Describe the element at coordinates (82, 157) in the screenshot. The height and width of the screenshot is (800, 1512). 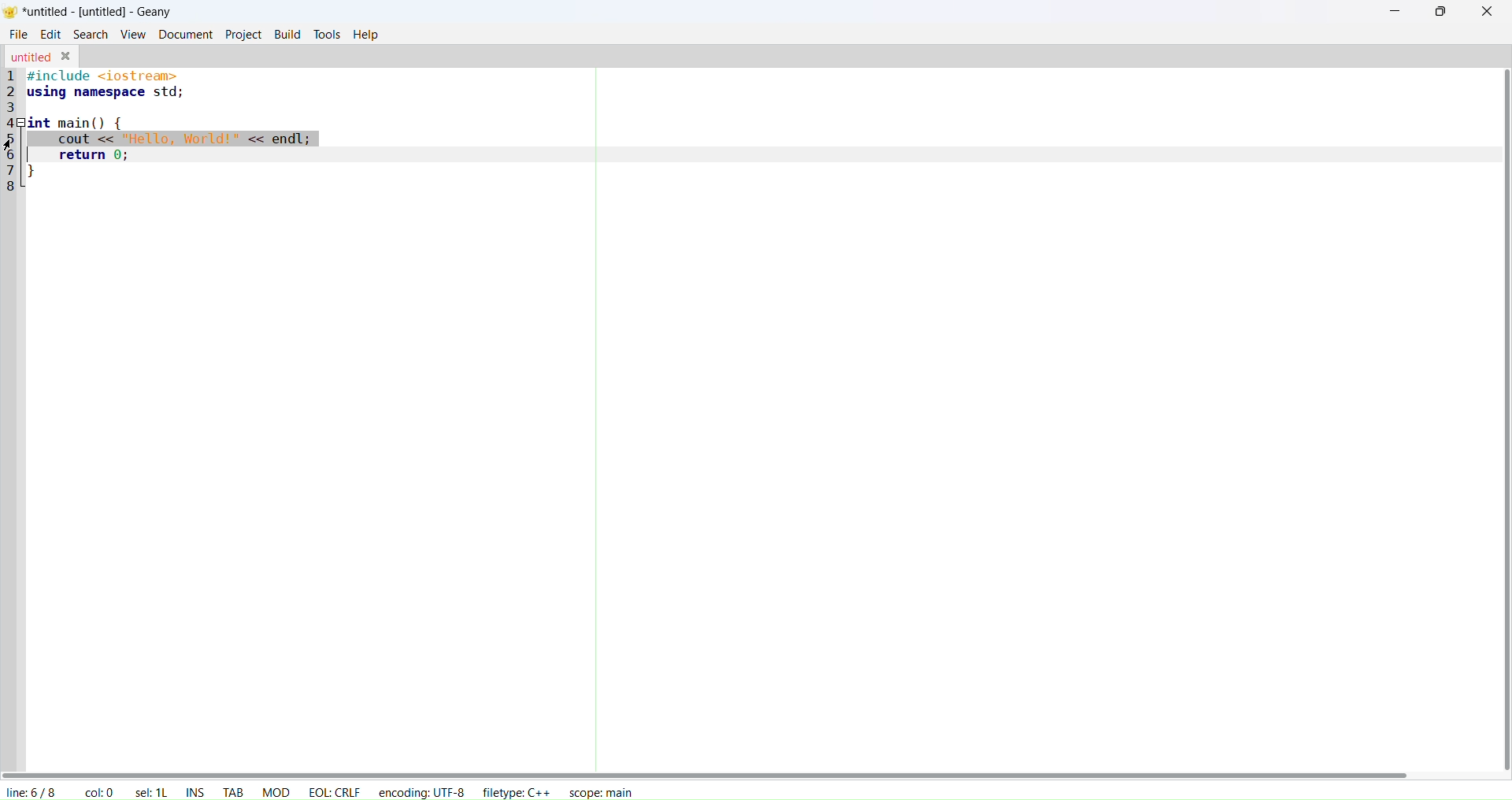
I see `6      return 0;` at that location.